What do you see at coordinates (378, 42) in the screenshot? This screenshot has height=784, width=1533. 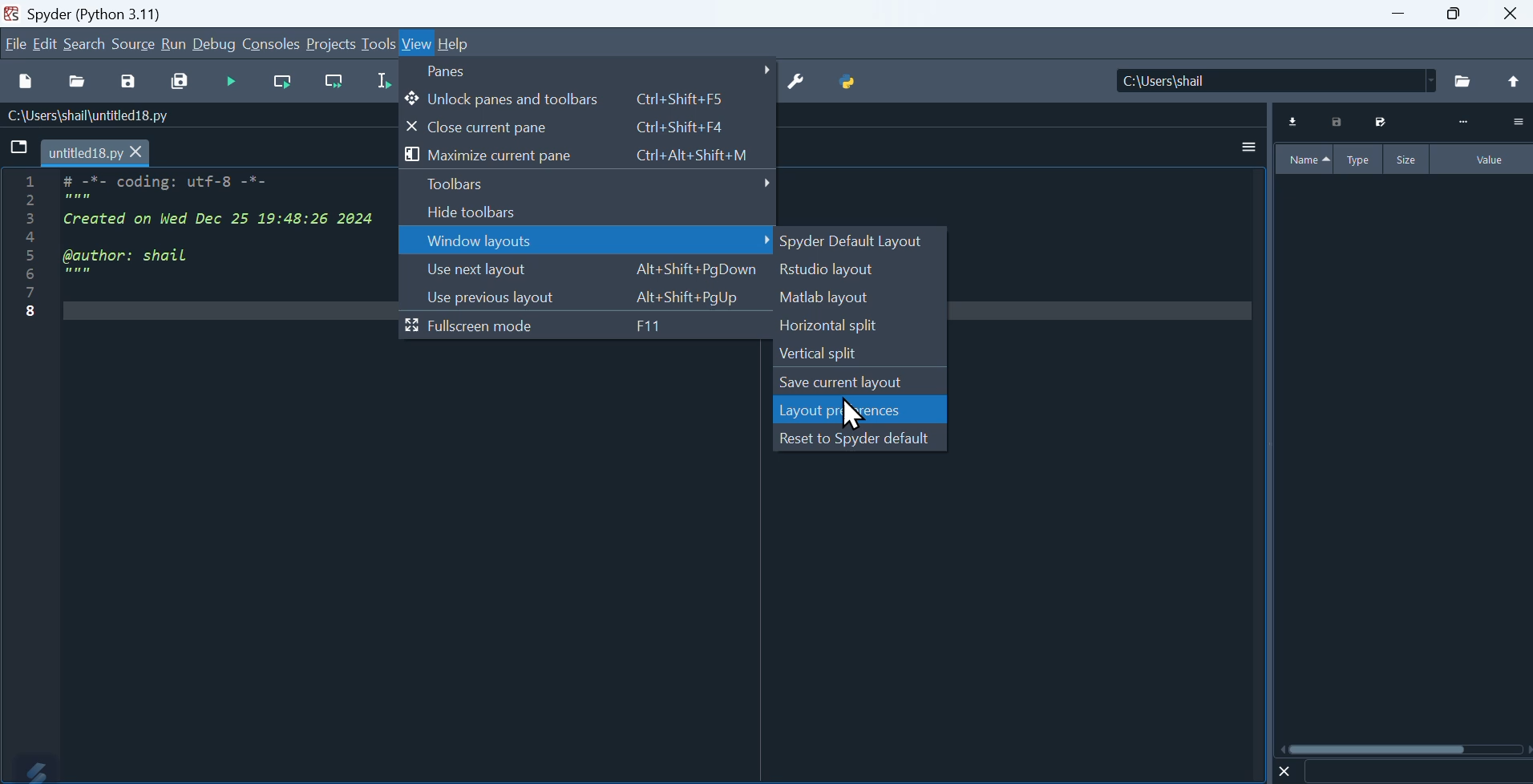 I see `Tools` at bounding box center [378, 42].